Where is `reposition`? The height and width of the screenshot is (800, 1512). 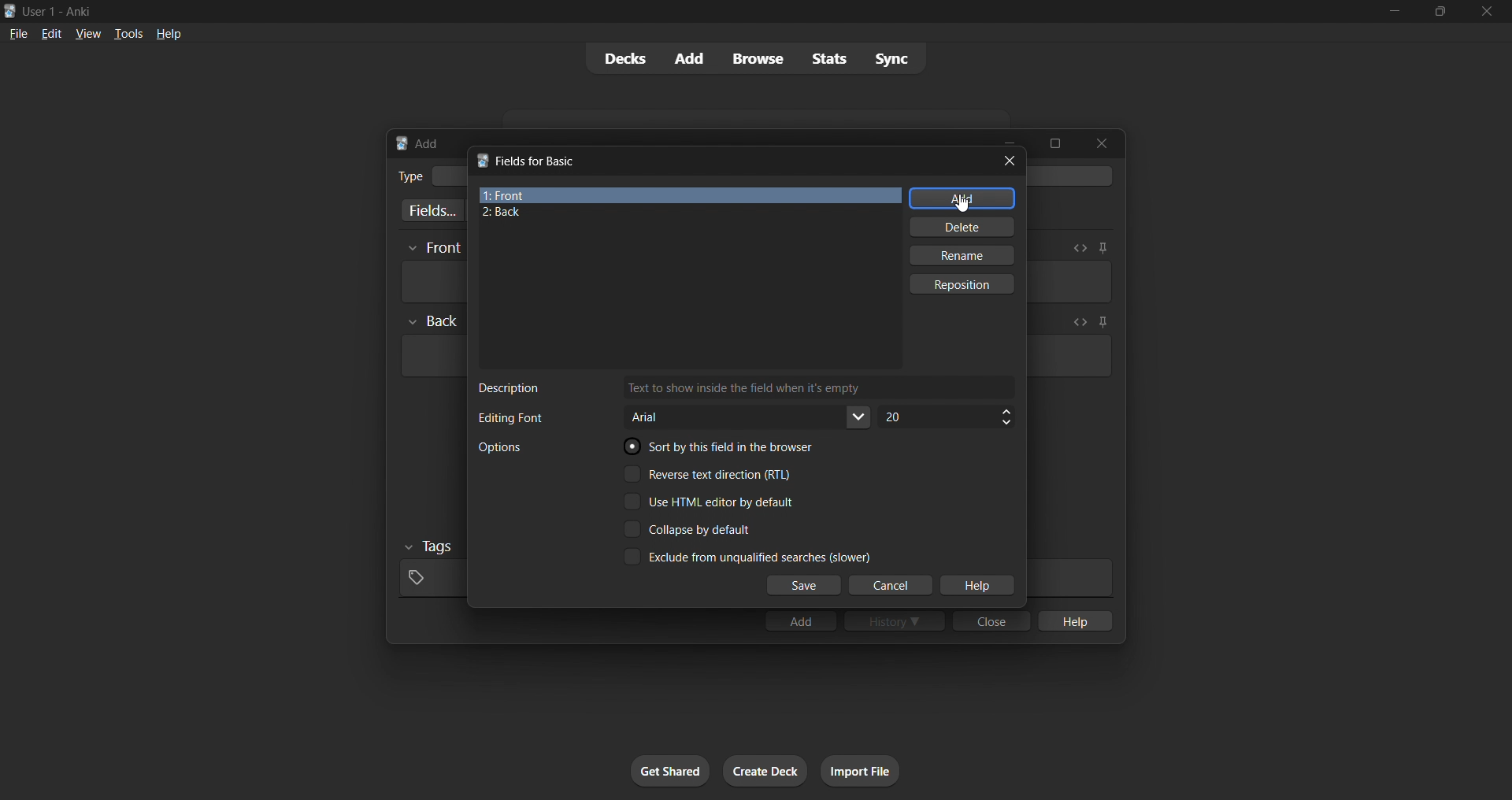 reposition is located at coordinates (964, 284).